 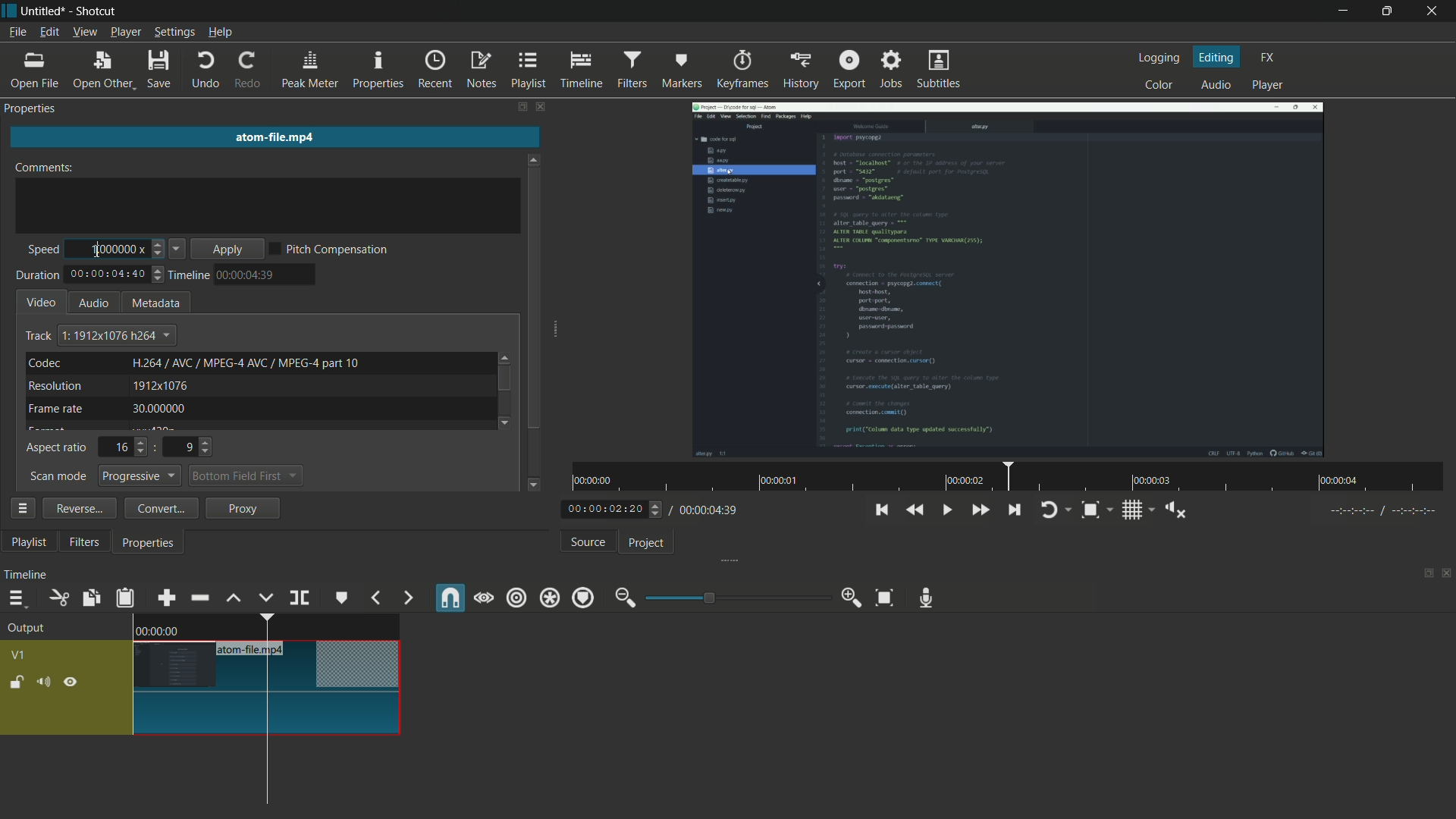 I want to click on pitch compensation, so click(x=331, y=249).